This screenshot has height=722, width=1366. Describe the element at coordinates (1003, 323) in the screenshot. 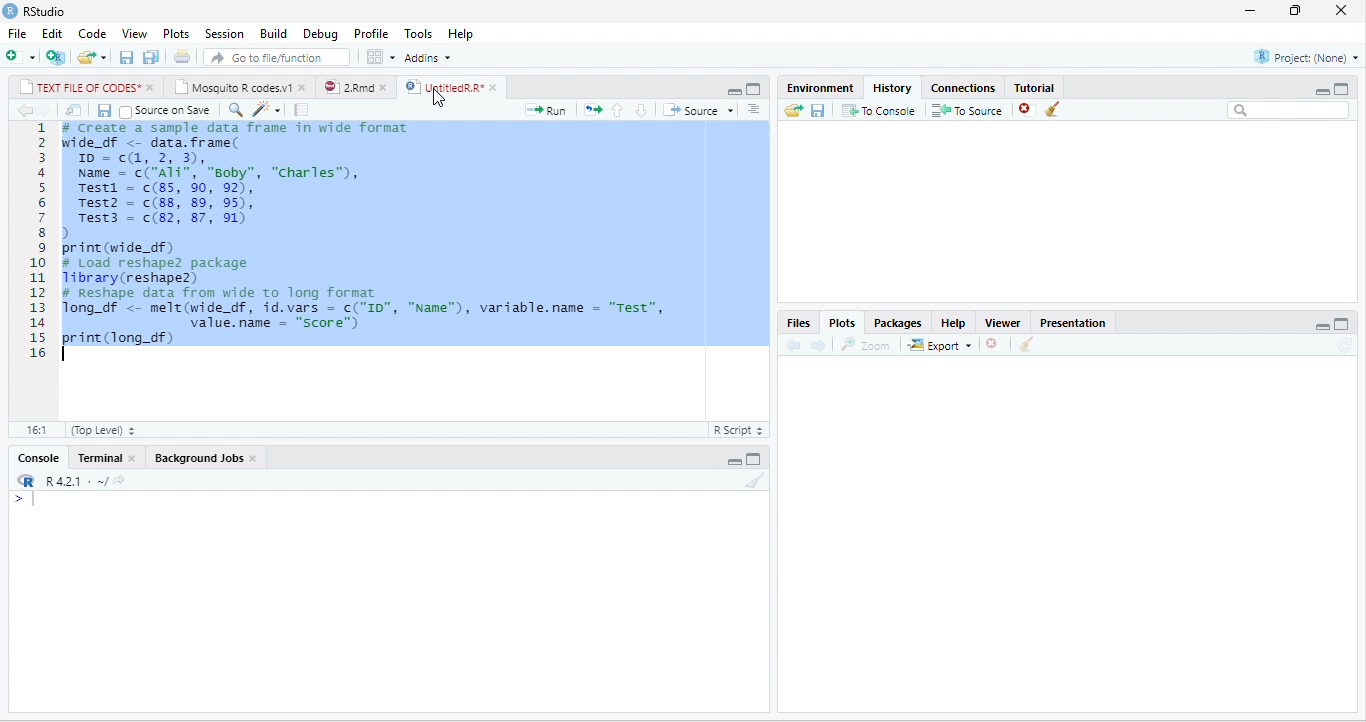

I see `Viewer` at that location.